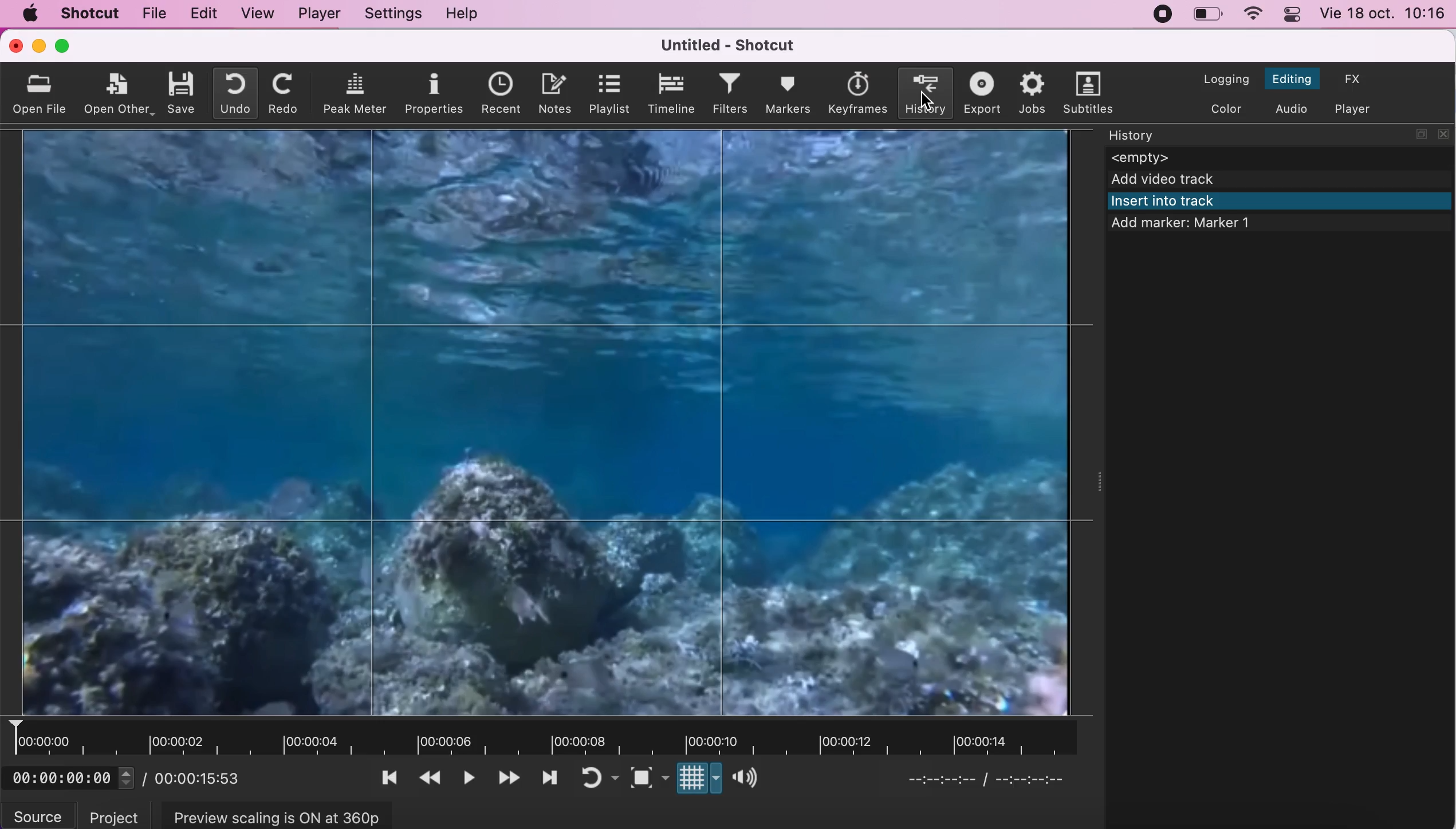 The height and width of the screenshot is (829, 1456). Describe the element at coordinates (1223, 109) in the screenshot. I see `switch to the color layout` at that location.